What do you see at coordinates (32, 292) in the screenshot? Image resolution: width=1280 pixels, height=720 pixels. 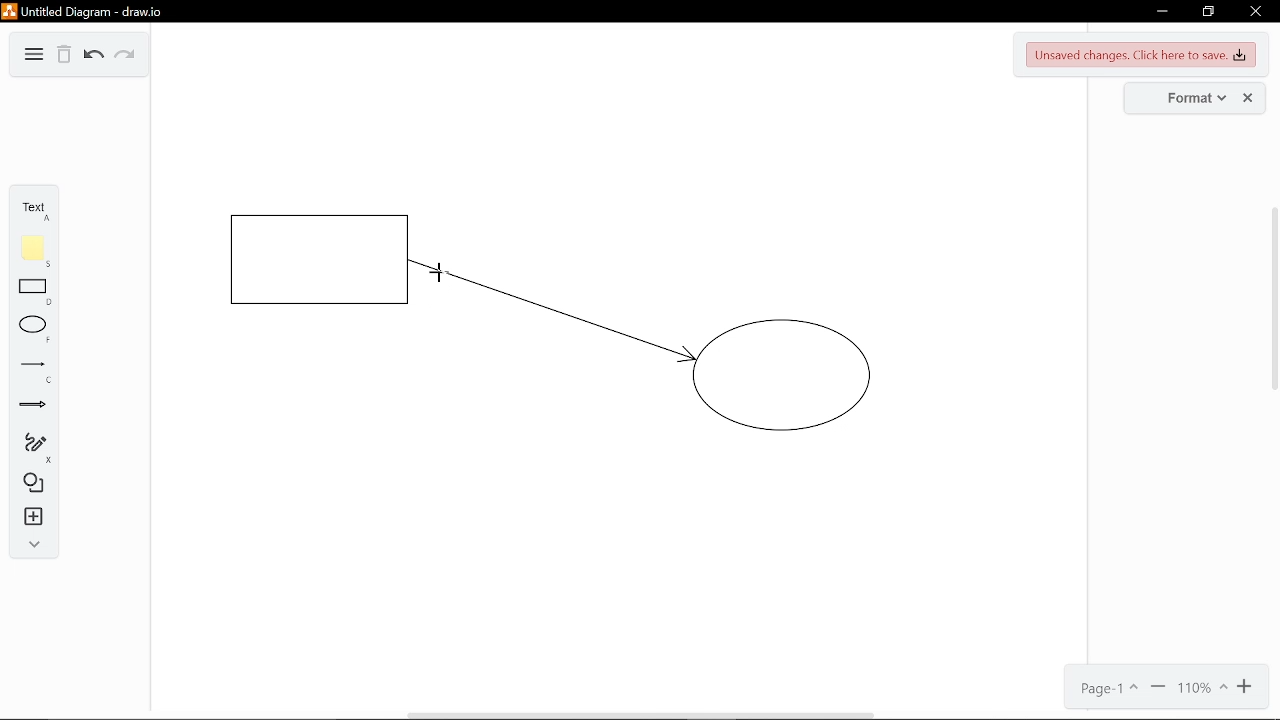 I see `Rectangle` at bounding box center [32, 292].